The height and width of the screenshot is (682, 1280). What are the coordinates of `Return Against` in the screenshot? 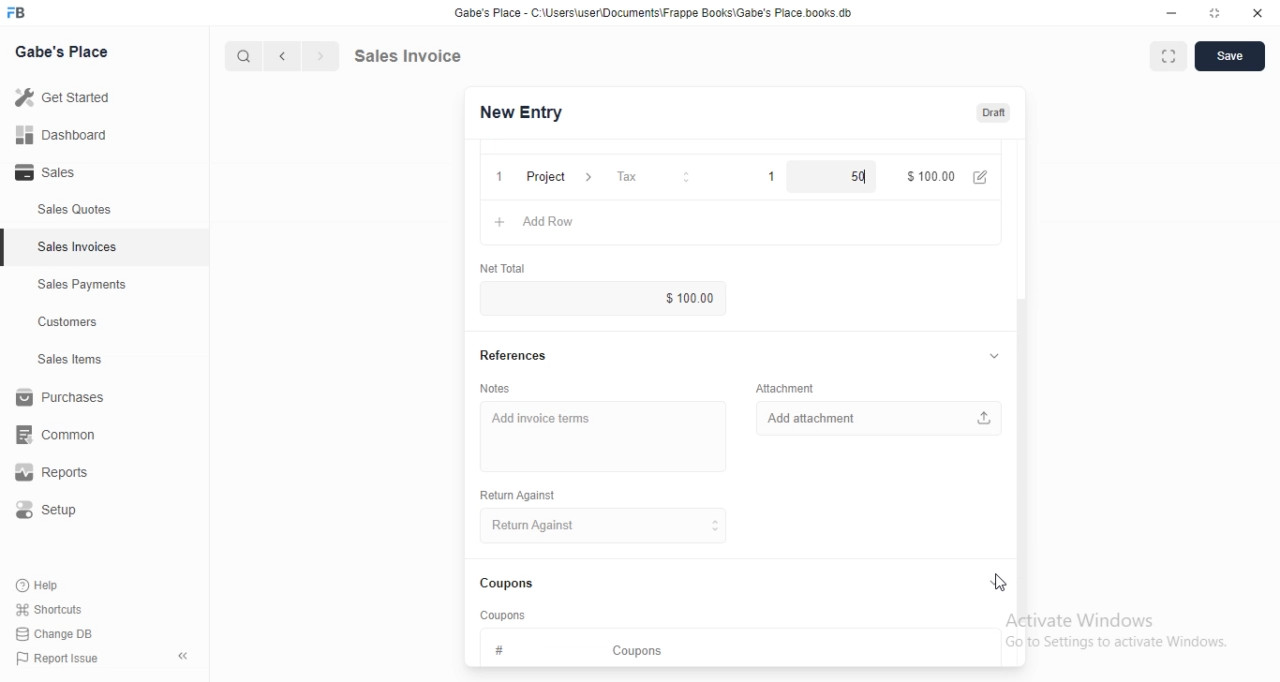 It's located at (523, 495).